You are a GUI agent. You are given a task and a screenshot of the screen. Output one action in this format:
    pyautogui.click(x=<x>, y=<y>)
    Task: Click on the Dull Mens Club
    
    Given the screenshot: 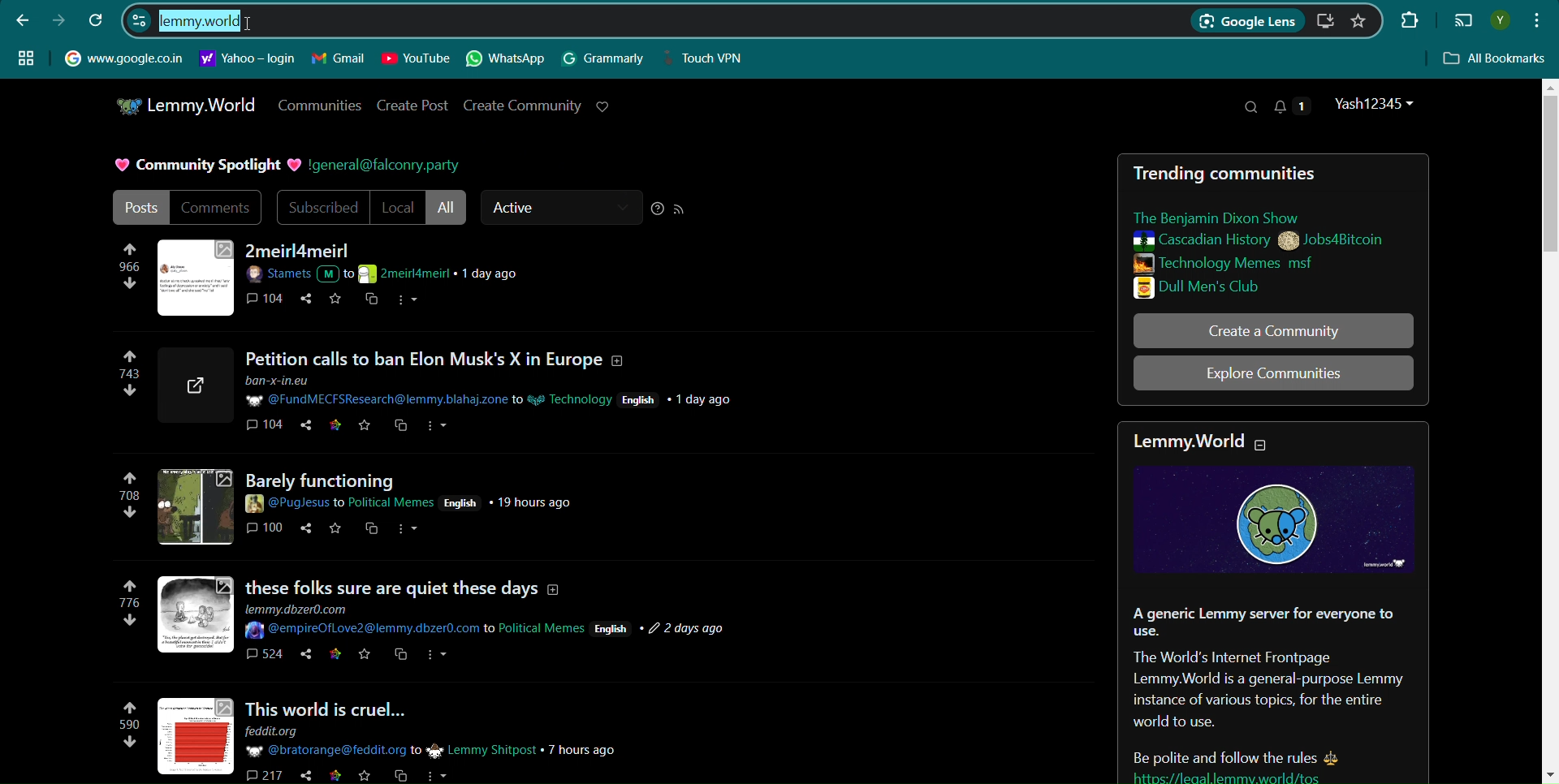 What is the action you would take?
    pyautogui.click(x=1250, y=287)
    